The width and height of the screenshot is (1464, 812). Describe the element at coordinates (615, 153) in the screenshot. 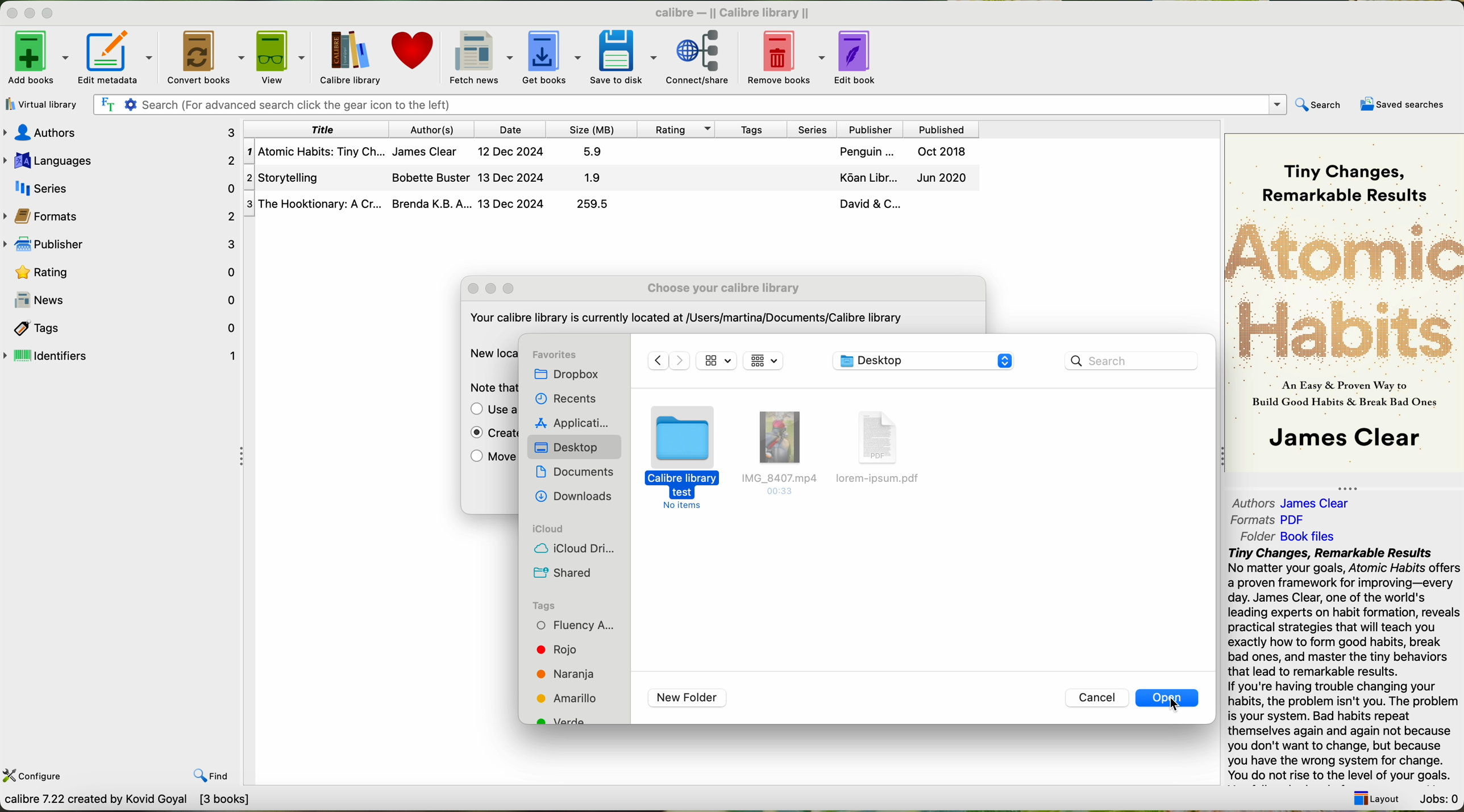

I see `First Book Atomic Habits` at that location.